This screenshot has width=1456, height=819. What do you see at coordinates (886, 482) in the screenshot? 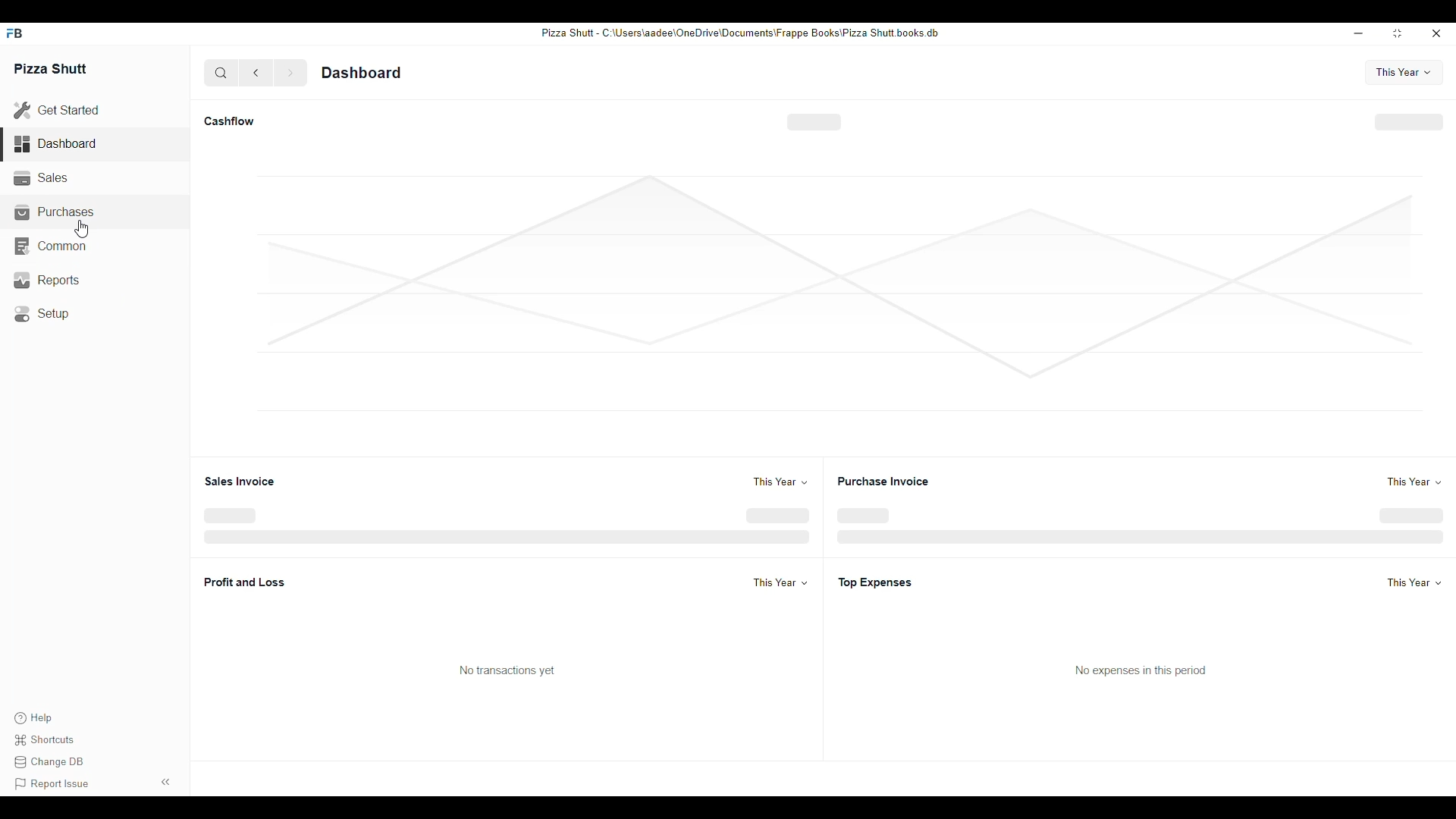
I see `Purchase invoice` at bounding box center [886, 482].